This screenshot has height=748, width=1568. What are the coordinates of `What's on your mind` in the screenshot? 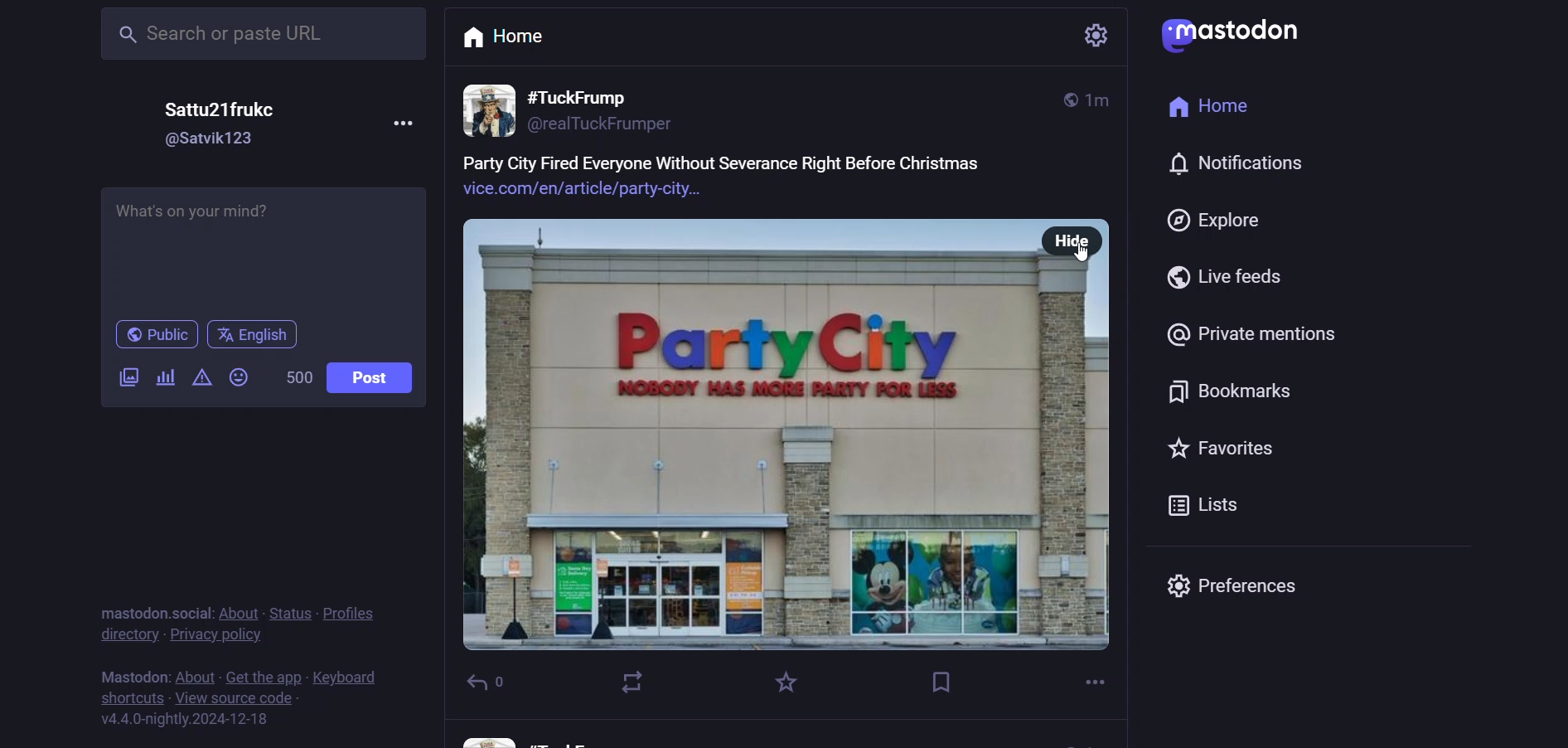 It's located at (263, 244).